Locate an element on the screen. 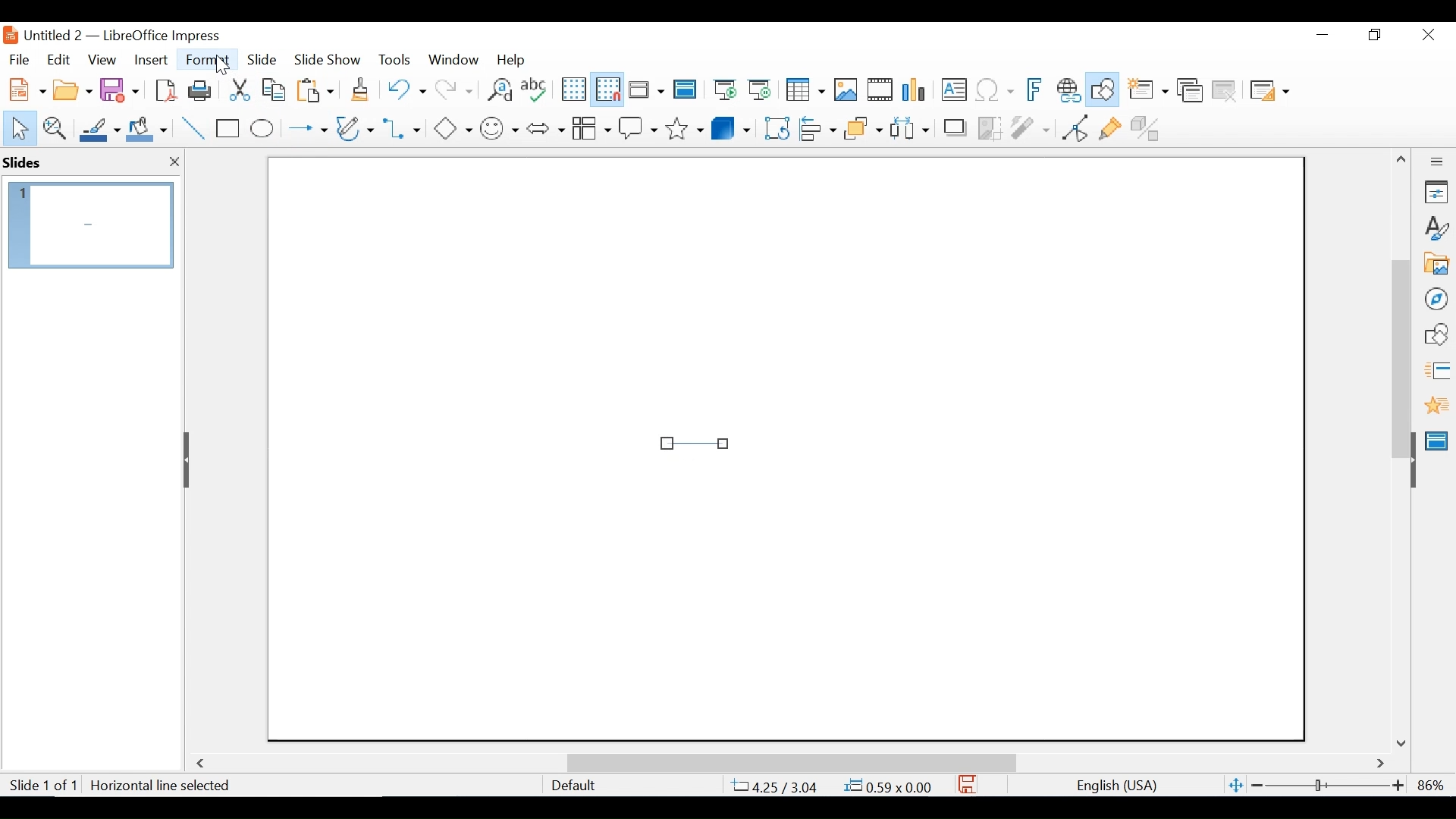 The height and width of the screenshot is (819, 1456). Select atleast three images to Distribute is located at coordinates (909, 127).